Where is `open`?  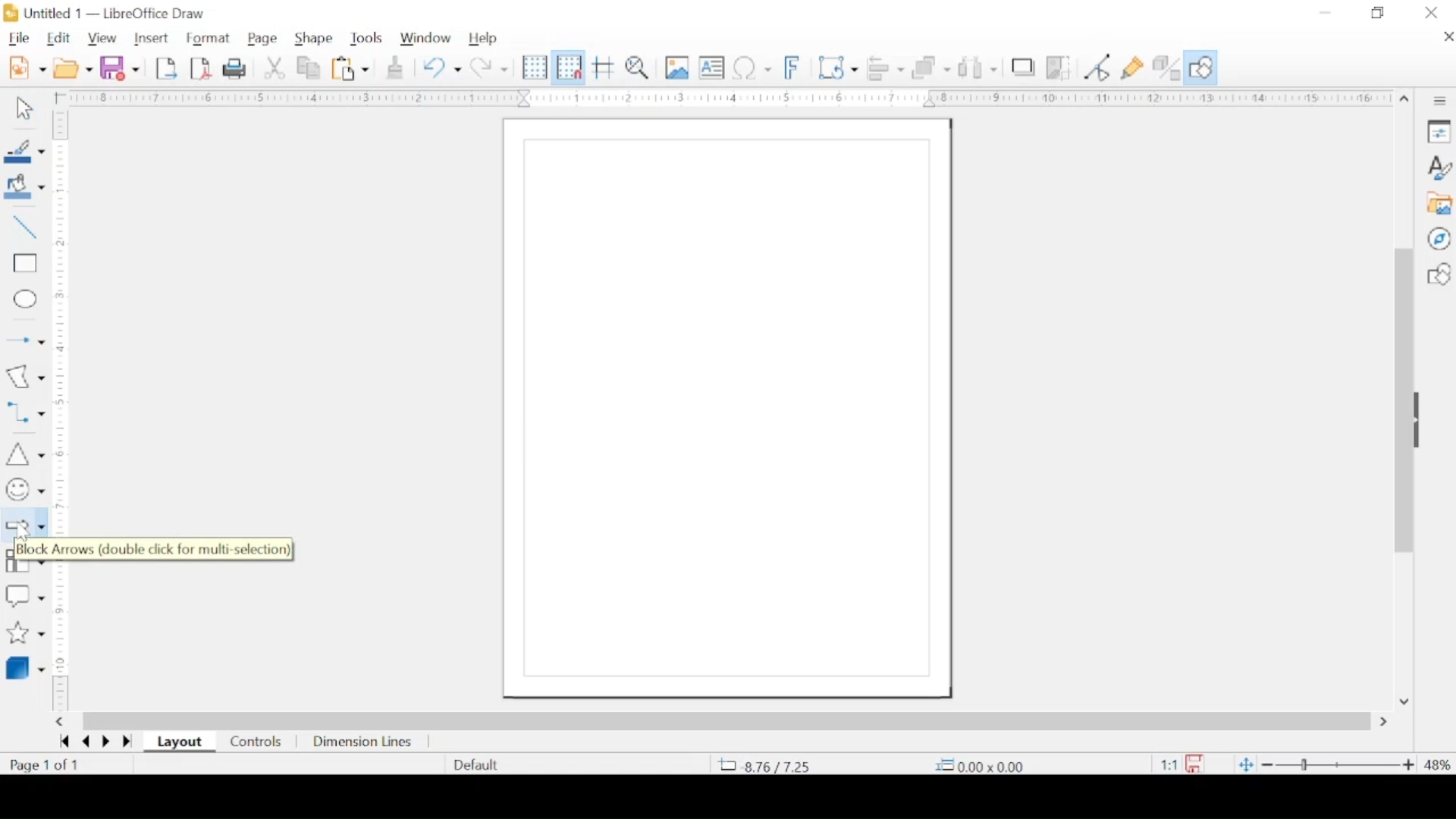 open is located at coordinates (73, 67).